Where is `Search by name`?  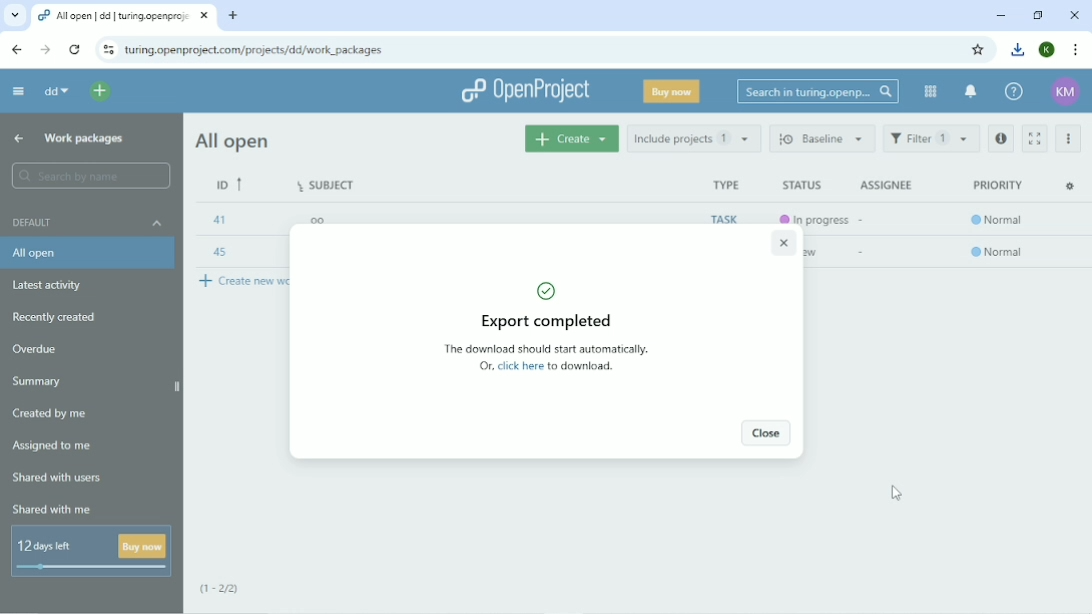
Search by name is located at coordinates (89, 176).